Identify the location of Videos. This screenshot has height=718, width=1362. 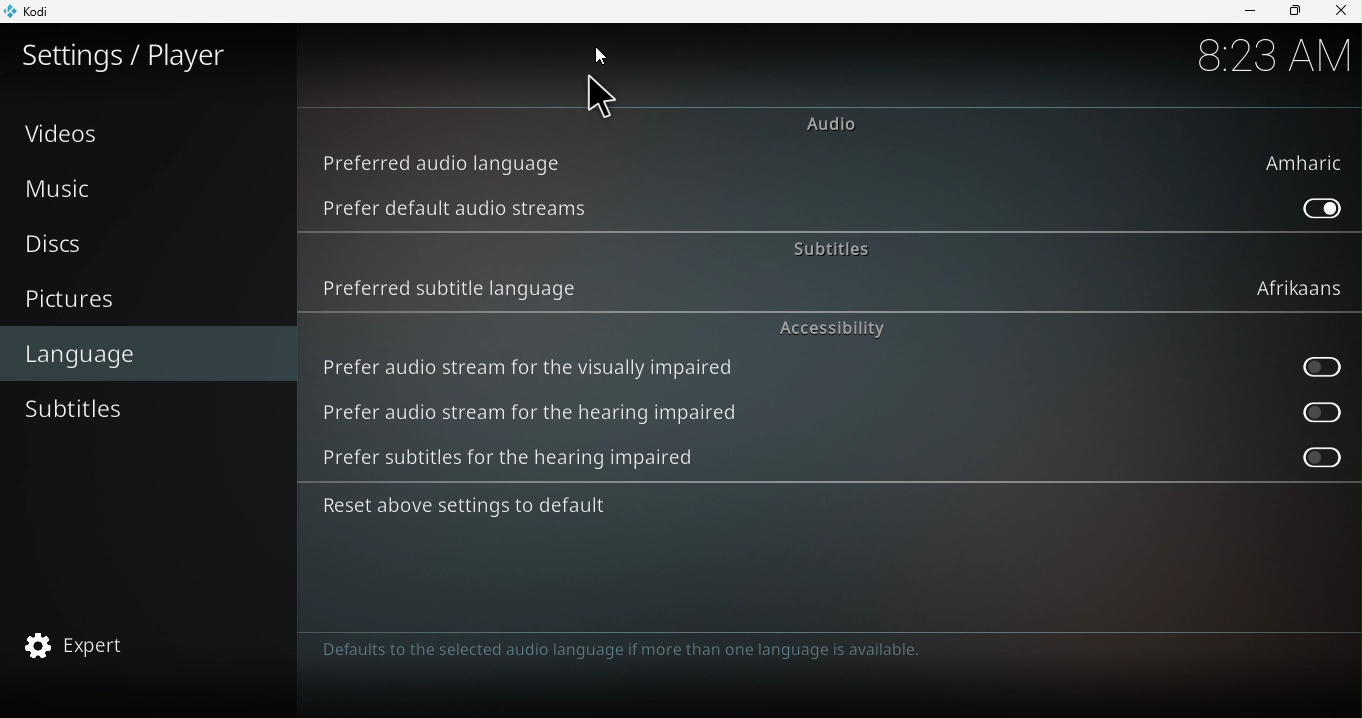
(148, 132).